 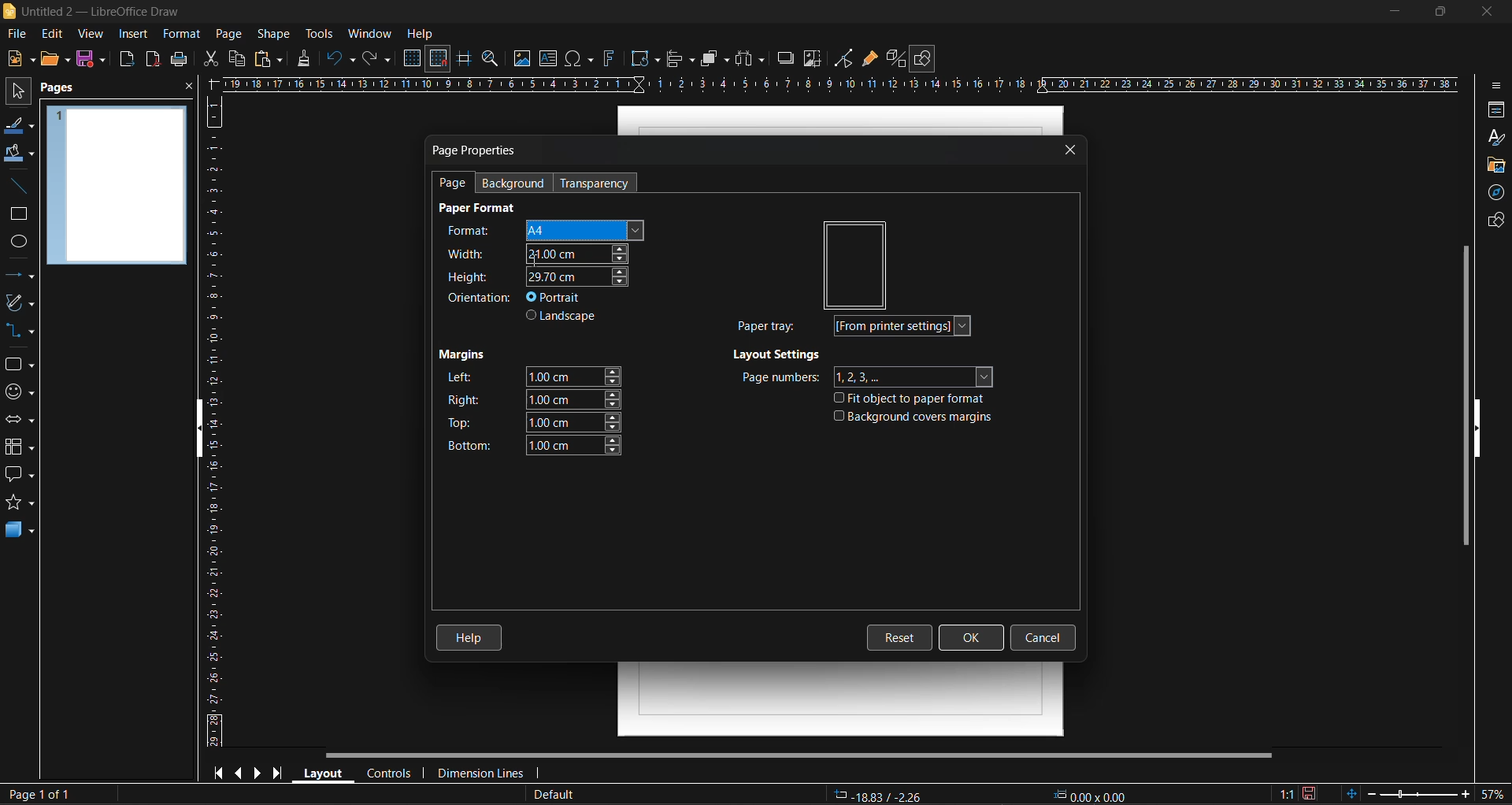 What do you see at coordinates (538, 252) in the screenshot?
I see `width` at bounding box center [538, 252].